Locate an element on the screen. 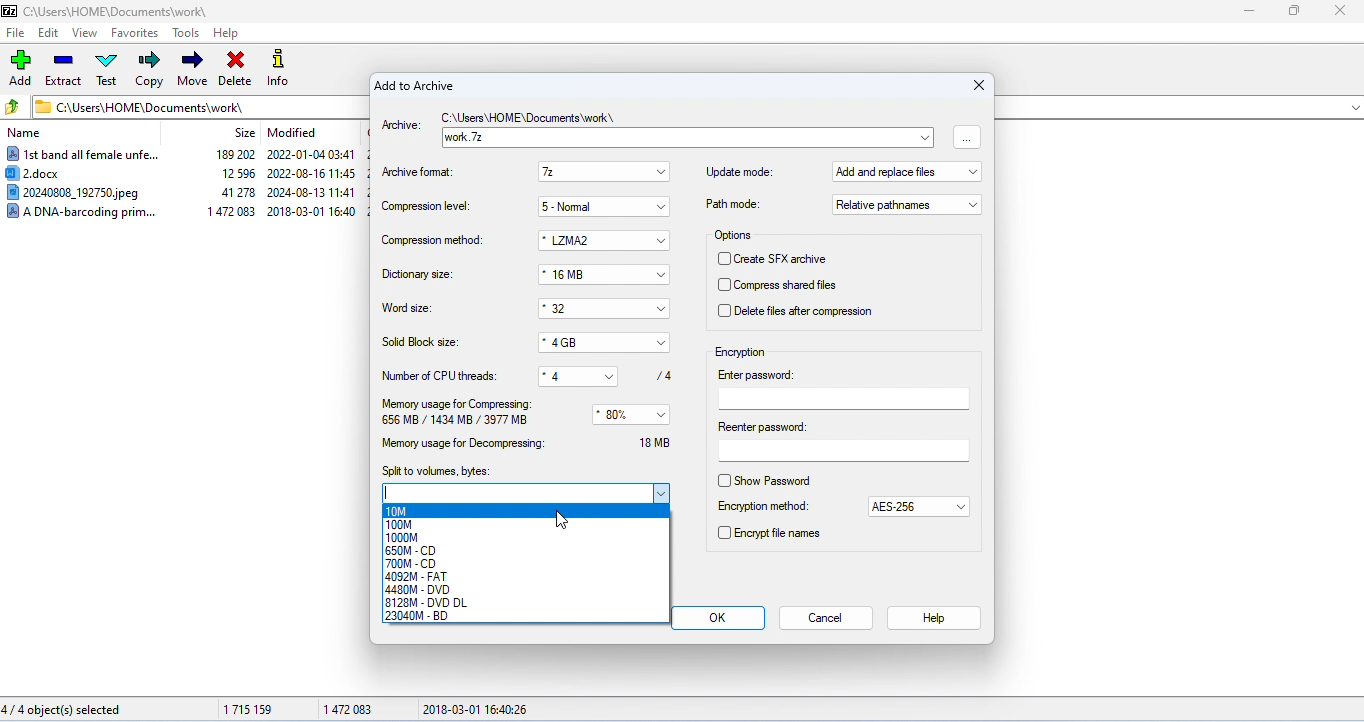 This screenshot has height=722, width=1364. 2018-03-01 16:40:26 is located at coordinates (477, 709).